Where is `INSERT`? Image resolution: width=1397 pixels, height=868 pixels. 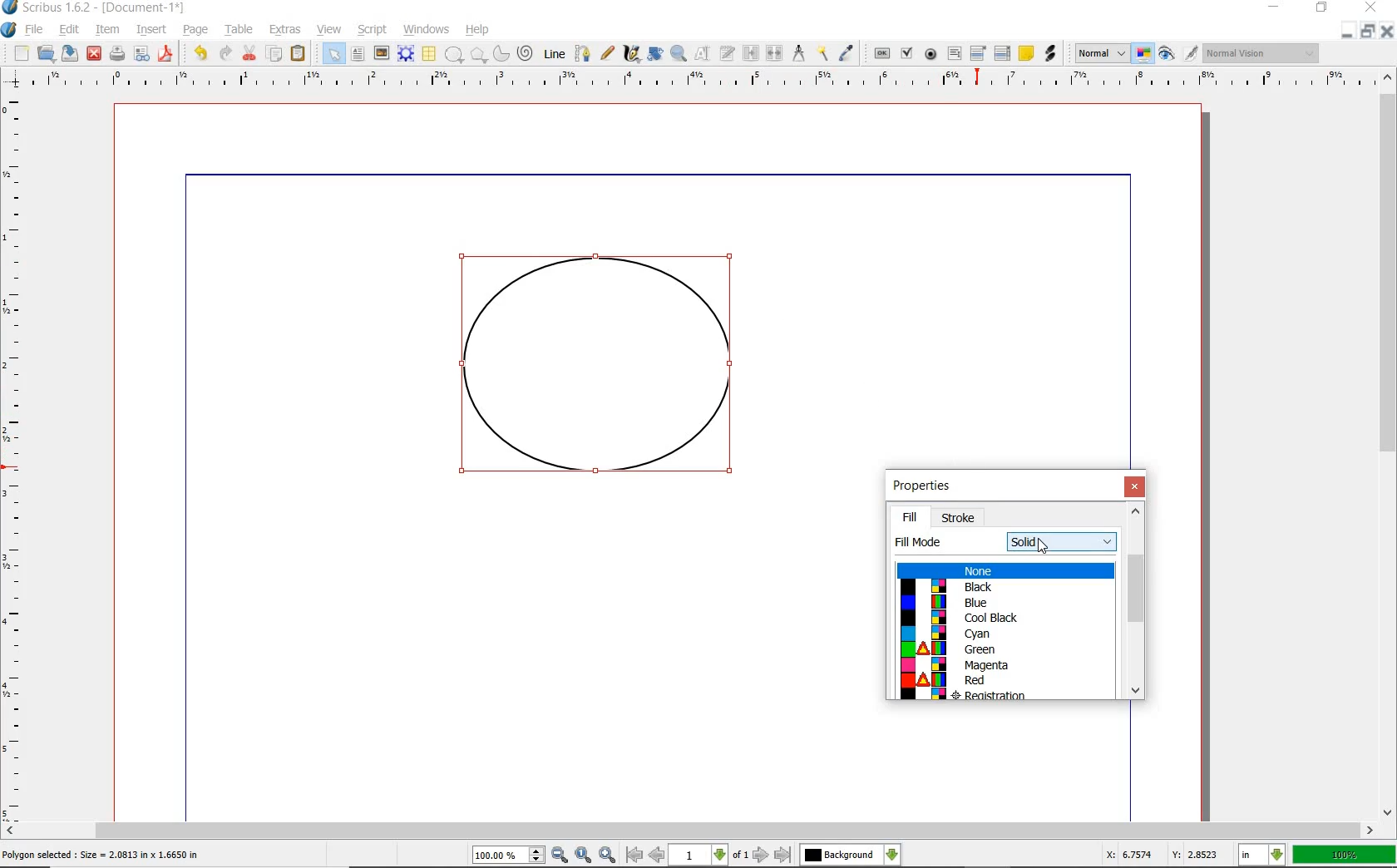
INSERT is located at coordinates (151, 30).